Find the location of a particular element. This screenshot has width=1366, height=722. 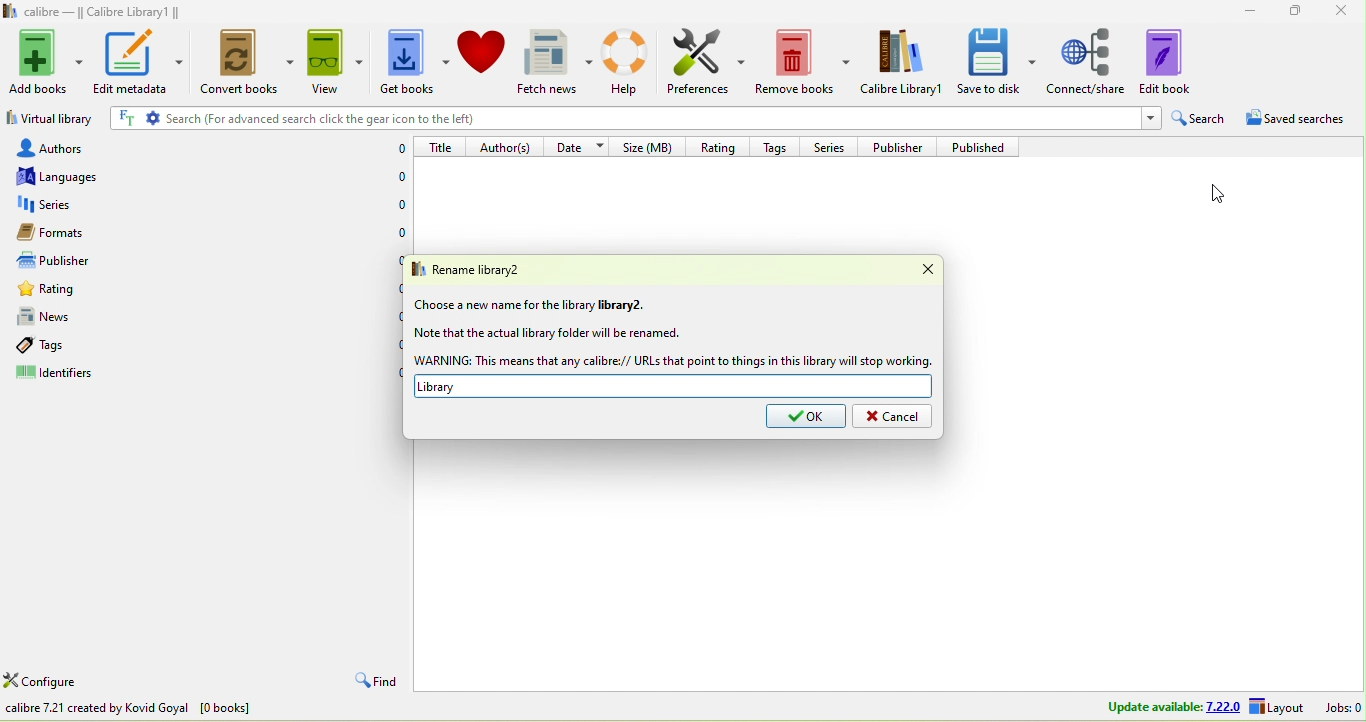

0 is located at coordinates (394, 149).